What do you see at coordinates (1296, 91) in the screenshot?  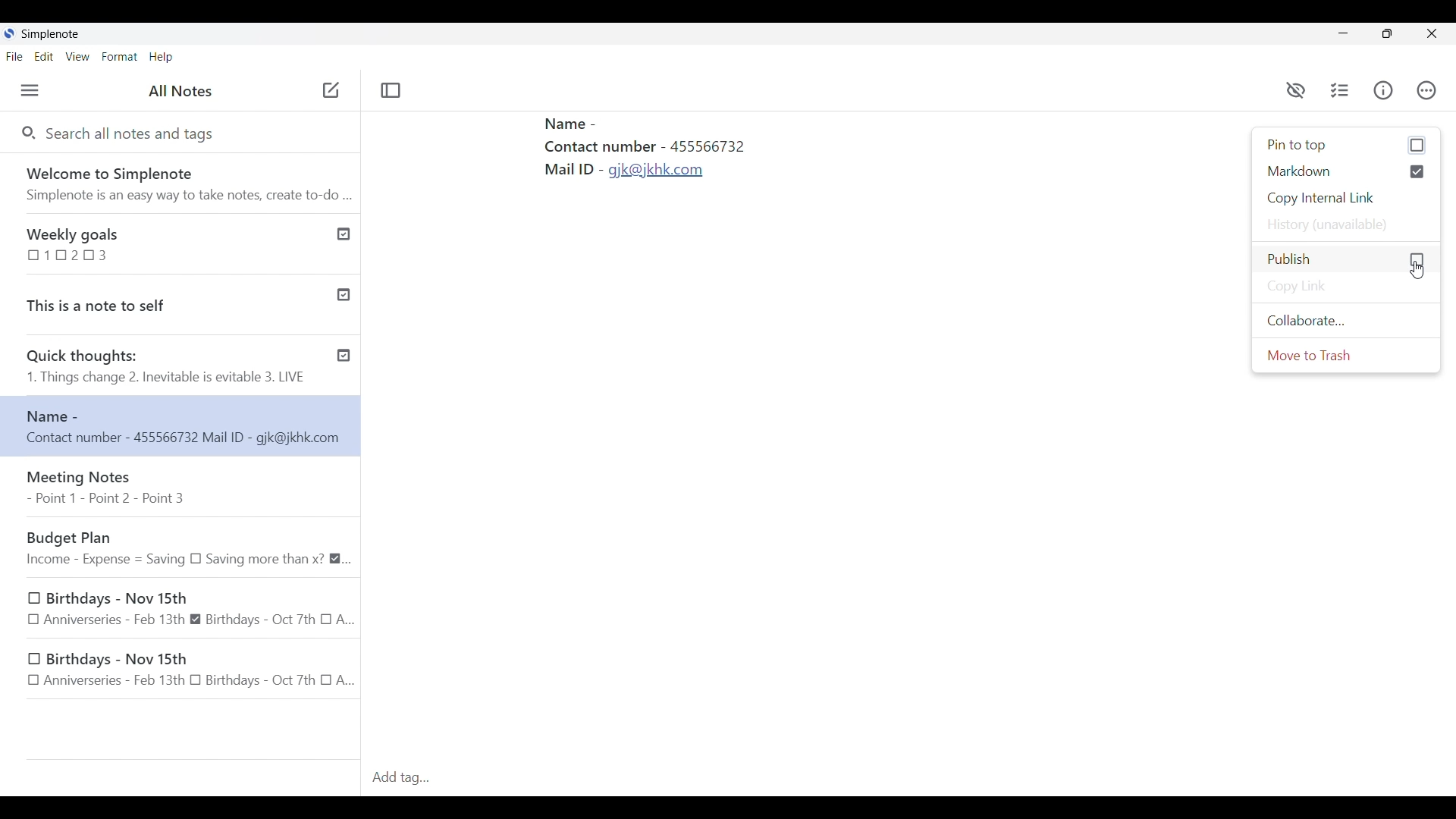 I see `preview` at bounding box center [1296, 91].